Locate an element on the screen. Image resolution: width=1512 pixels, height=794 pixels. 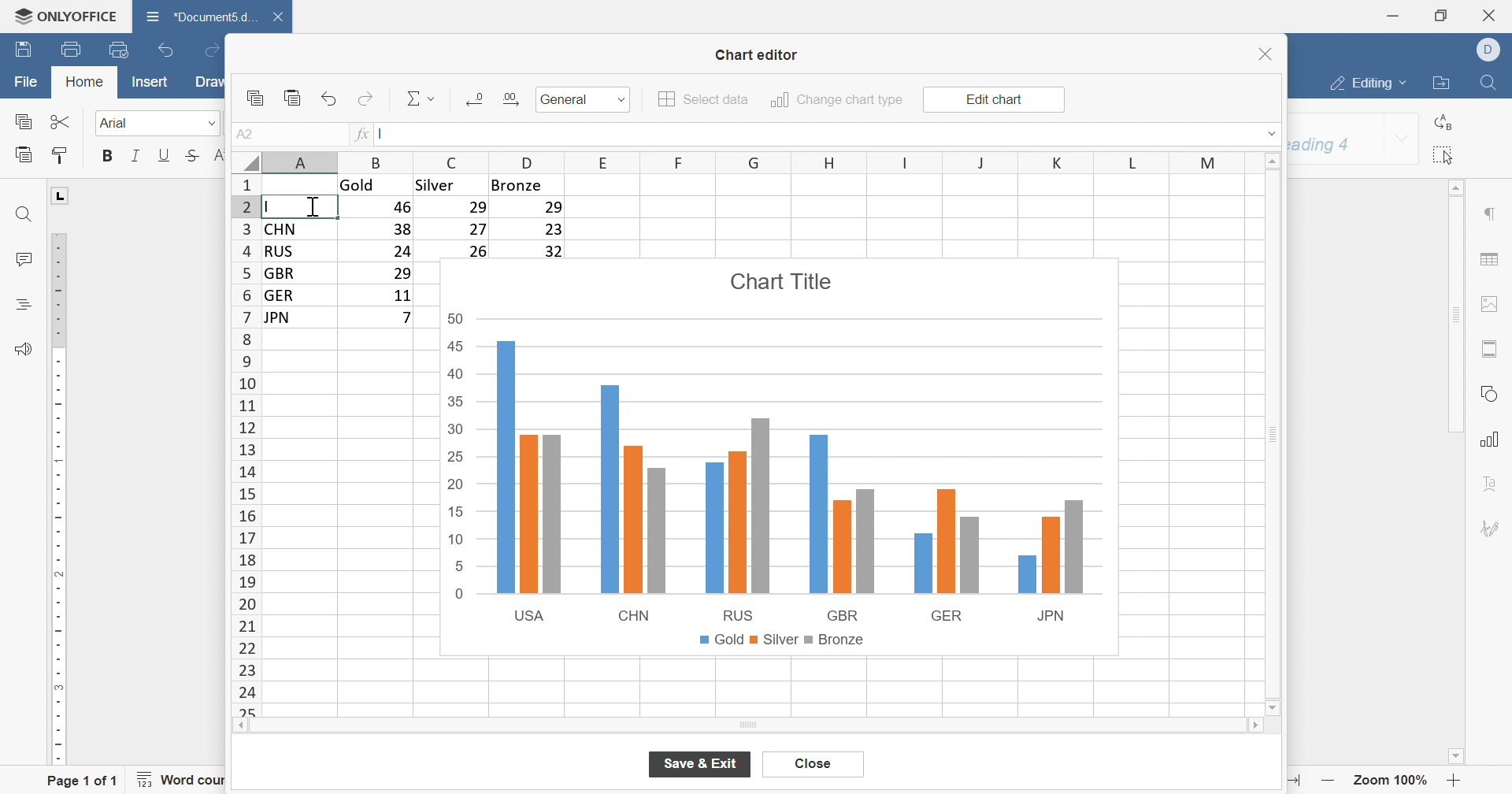
restore down is located at coordinates (1440, 17).